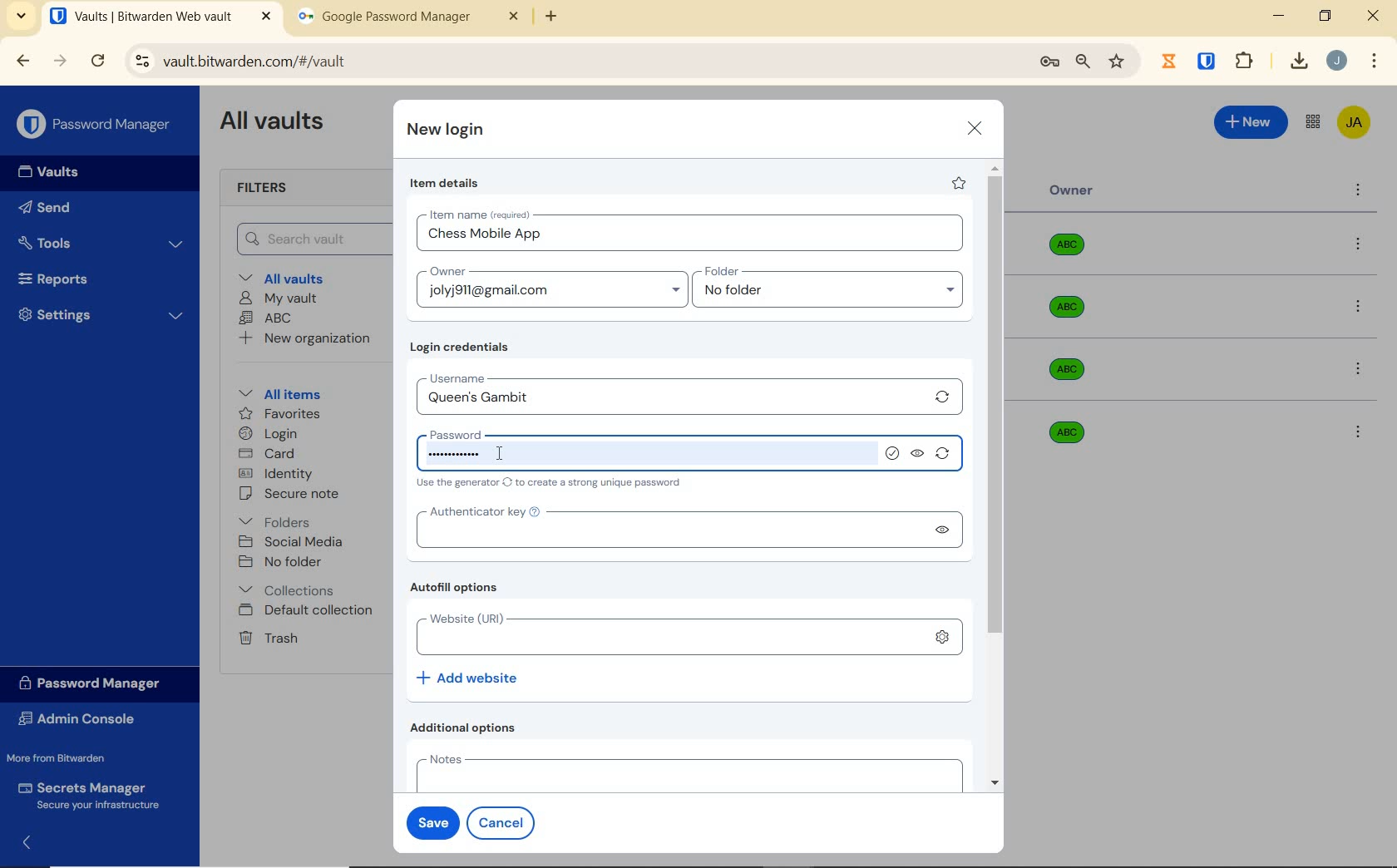 The image size is (1397, 868). Describe the element at coordinates (1336, 61) in the screenshot. I see `Account` at that location.